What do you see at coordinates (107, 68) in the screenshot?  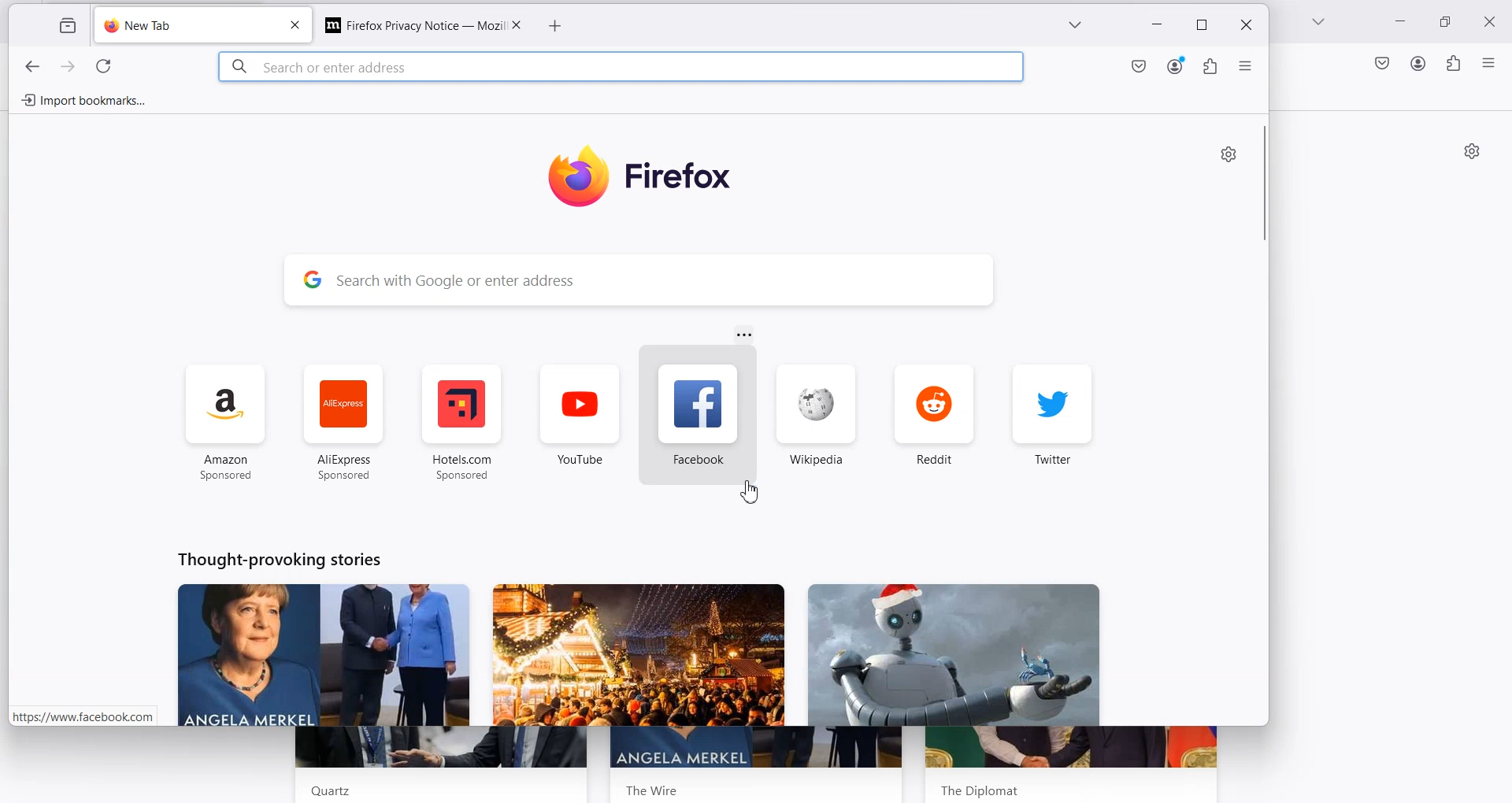 I see `refresh page` at bounding box center [107, 68].